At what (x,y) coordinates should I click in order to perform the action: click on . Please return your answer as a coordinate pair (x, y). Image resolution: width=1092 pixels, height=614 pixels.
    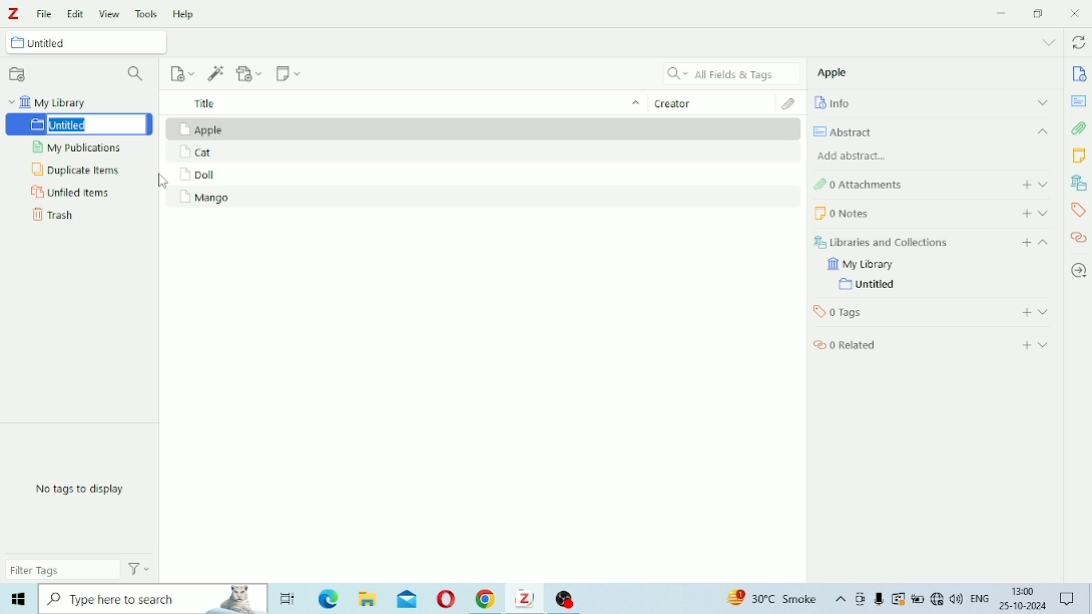
    Looking at the image, I should click on (945, 599).